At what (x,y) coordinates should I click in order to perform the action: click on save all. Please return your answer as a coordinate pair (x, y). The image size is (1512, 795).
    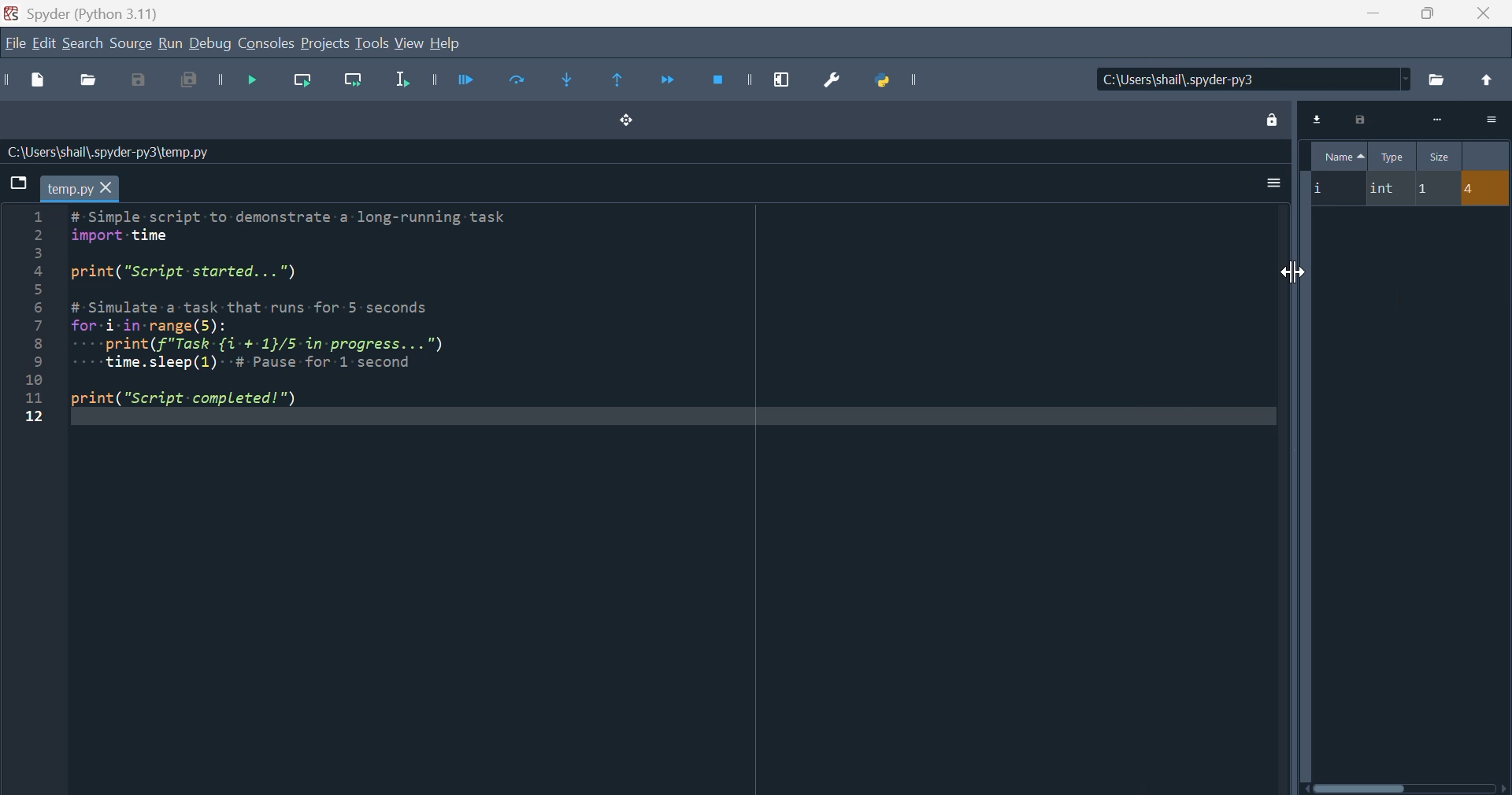
    Looking at the image, I should click on (191, 85).